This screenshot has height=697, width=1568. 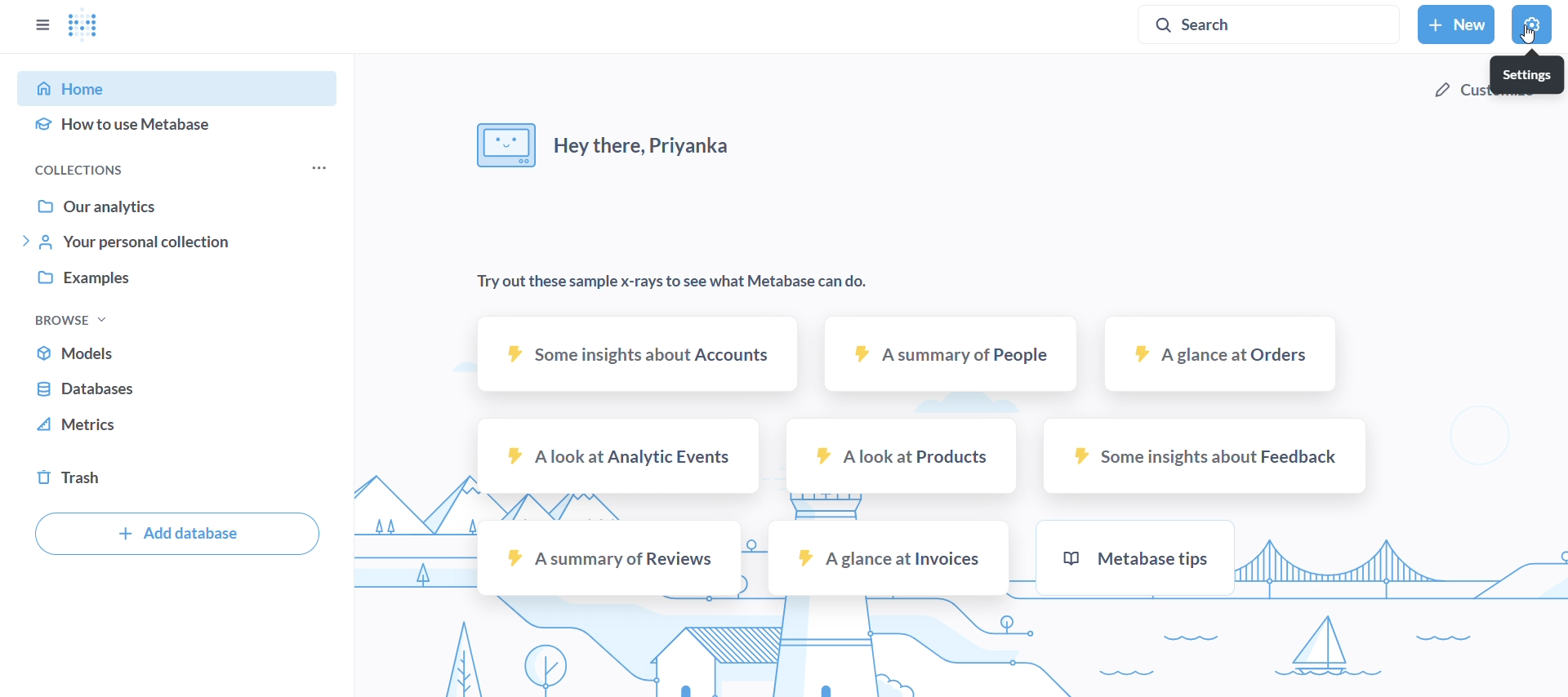 What do you see at coordinates (620, 455) in the screenshot?
I see `a look at analytic events` at bounding box center [620, 455].